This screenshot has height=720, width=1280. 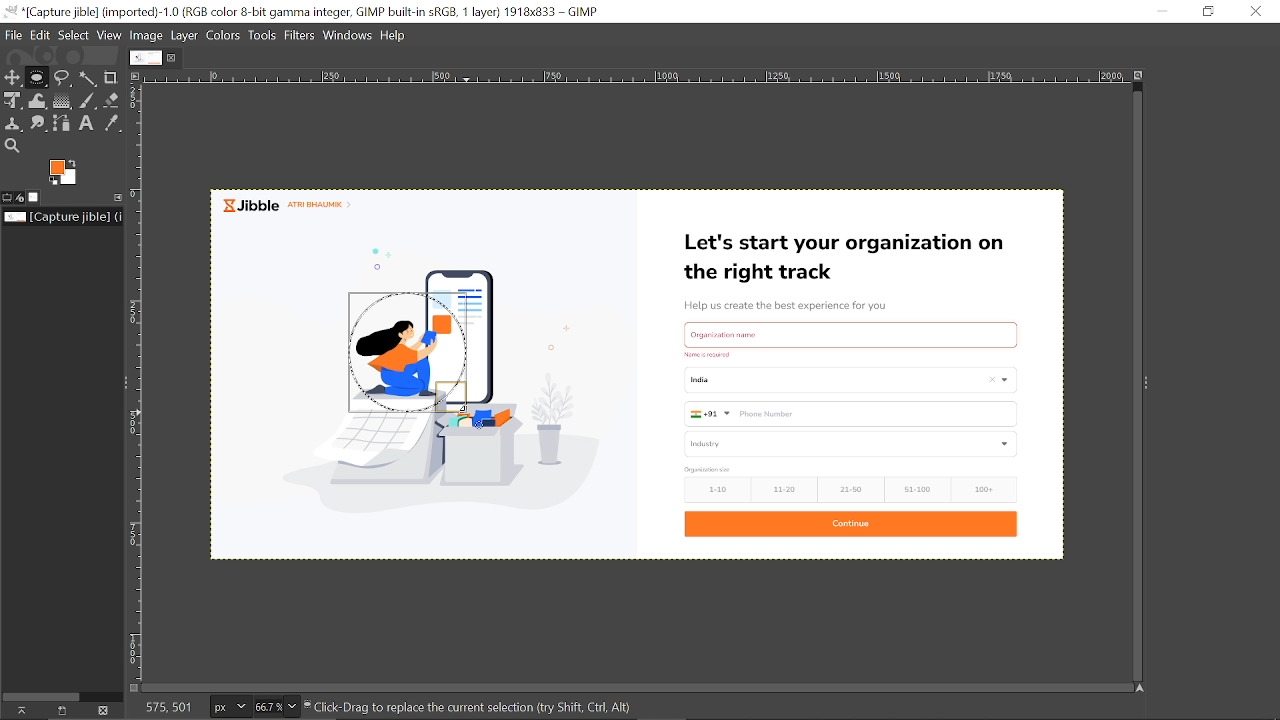 I want to click on Name of the current file, so click(x=64, y=217).